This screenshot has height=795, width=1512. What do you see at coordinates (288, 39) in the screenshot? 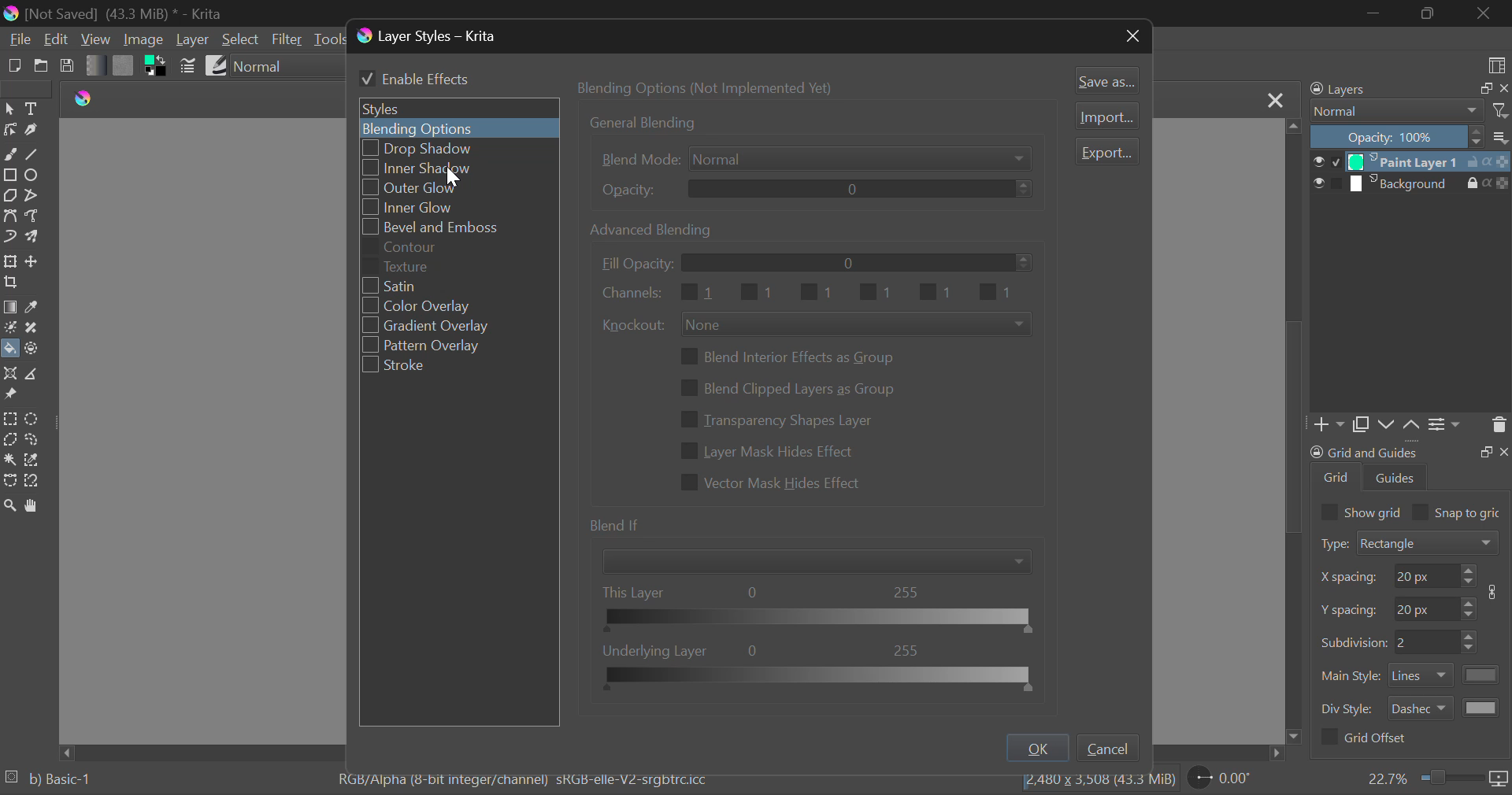
I see `Filter` at bounding box center [288, 39].